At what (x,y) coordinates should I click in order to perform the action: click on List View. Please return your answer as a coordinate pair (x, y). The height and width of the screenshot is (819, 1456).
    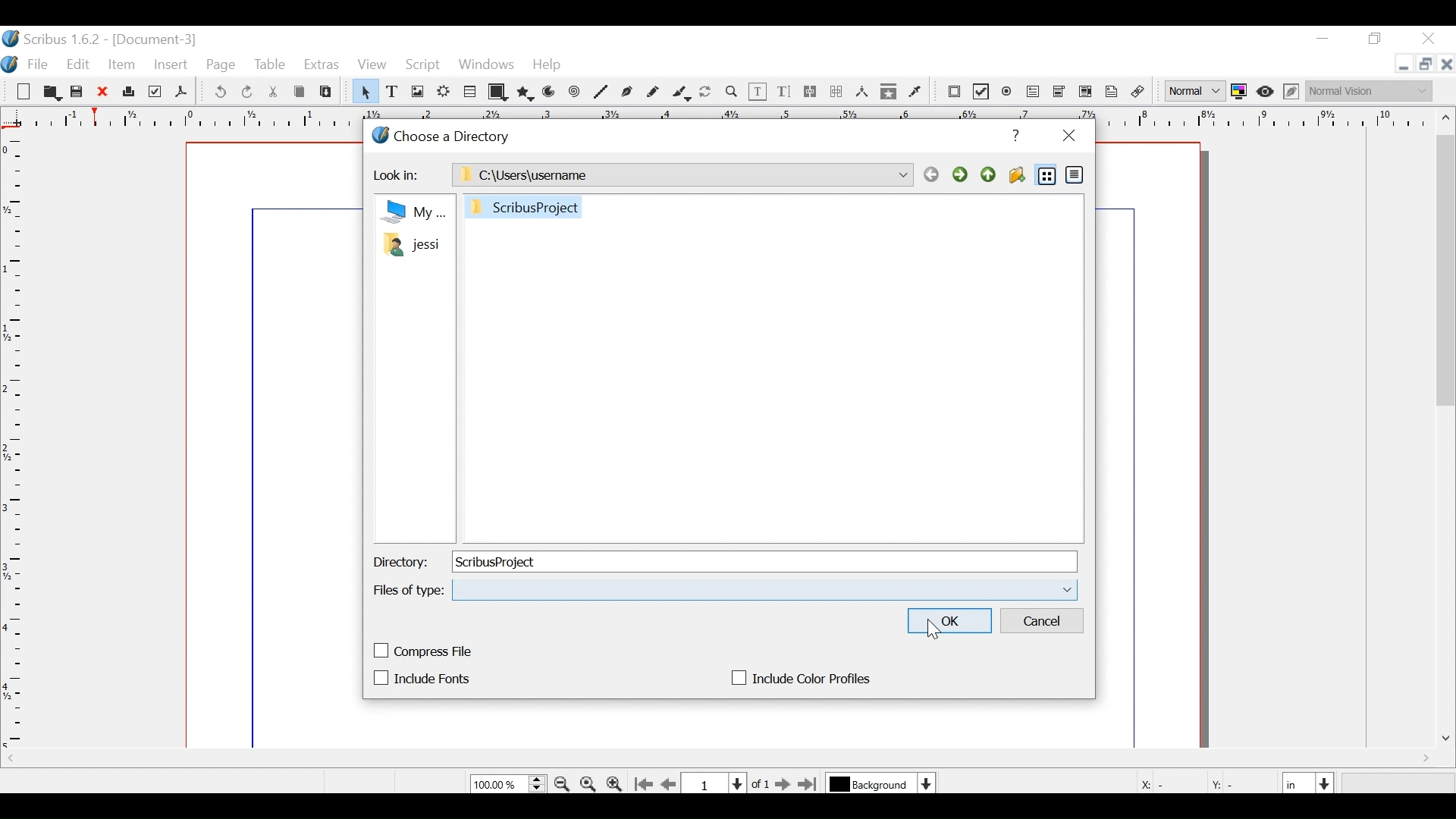
    Looking at the image, I should click on (1047, 174).